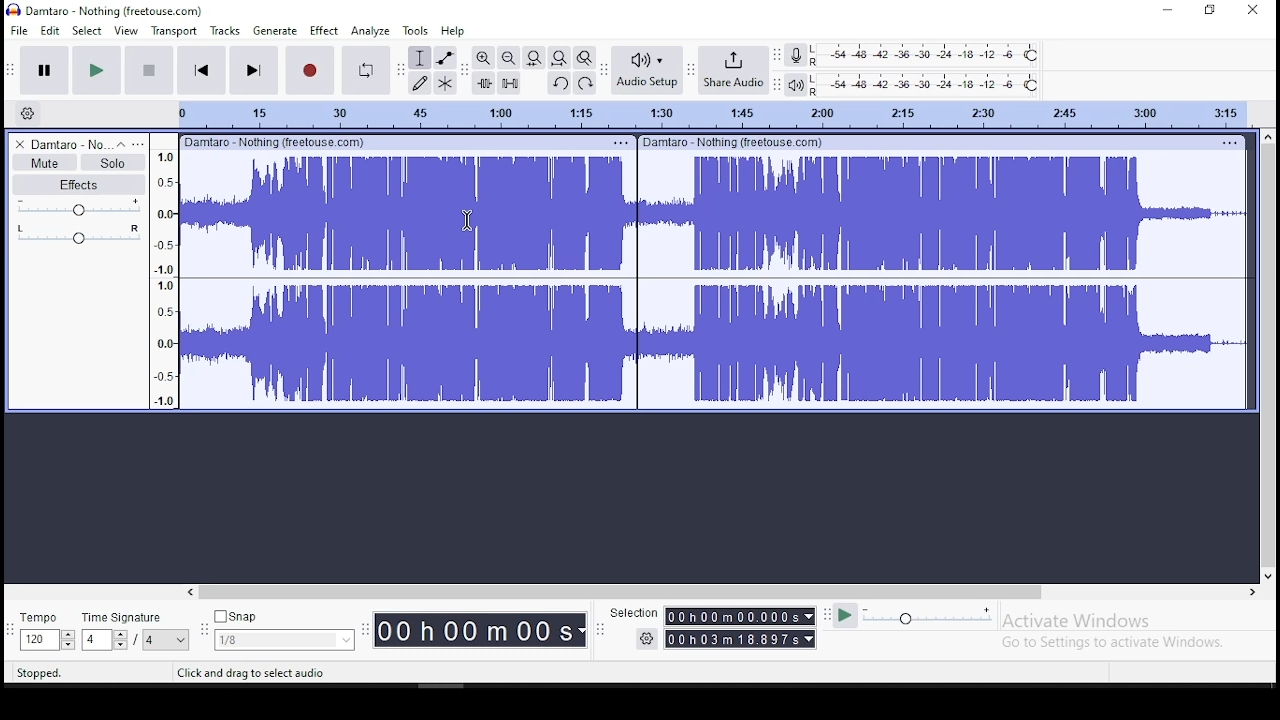  What do you see at coordinates (163, 277) in the screenshot?
I see `meter` at bounding box center [163, 277].